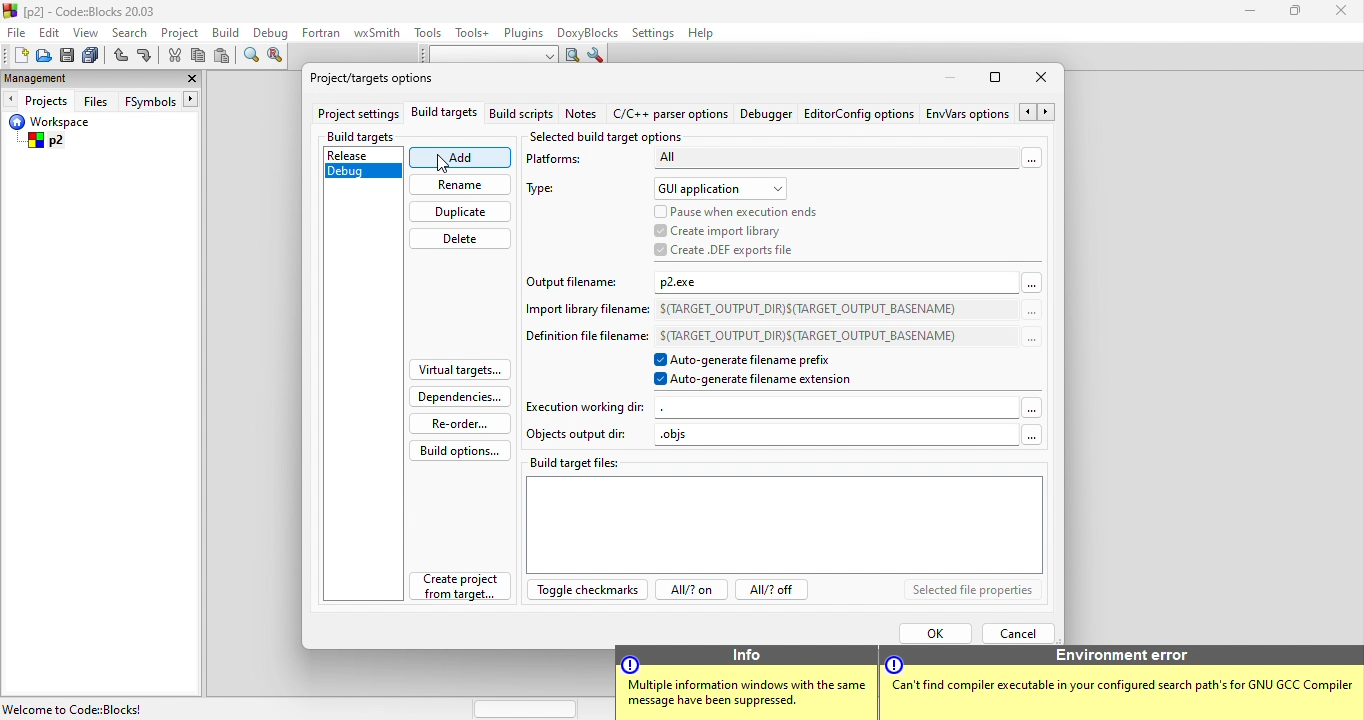 This screenshot has width=1364, height=720. What do you see at coordinates (774, 311) in the screenshot?
I see `Import library filename:  S(TARGET_OUTPUT_DIR)S(TARGET_OUTPUT_BASENAME)` at bounding box center [774, 311].